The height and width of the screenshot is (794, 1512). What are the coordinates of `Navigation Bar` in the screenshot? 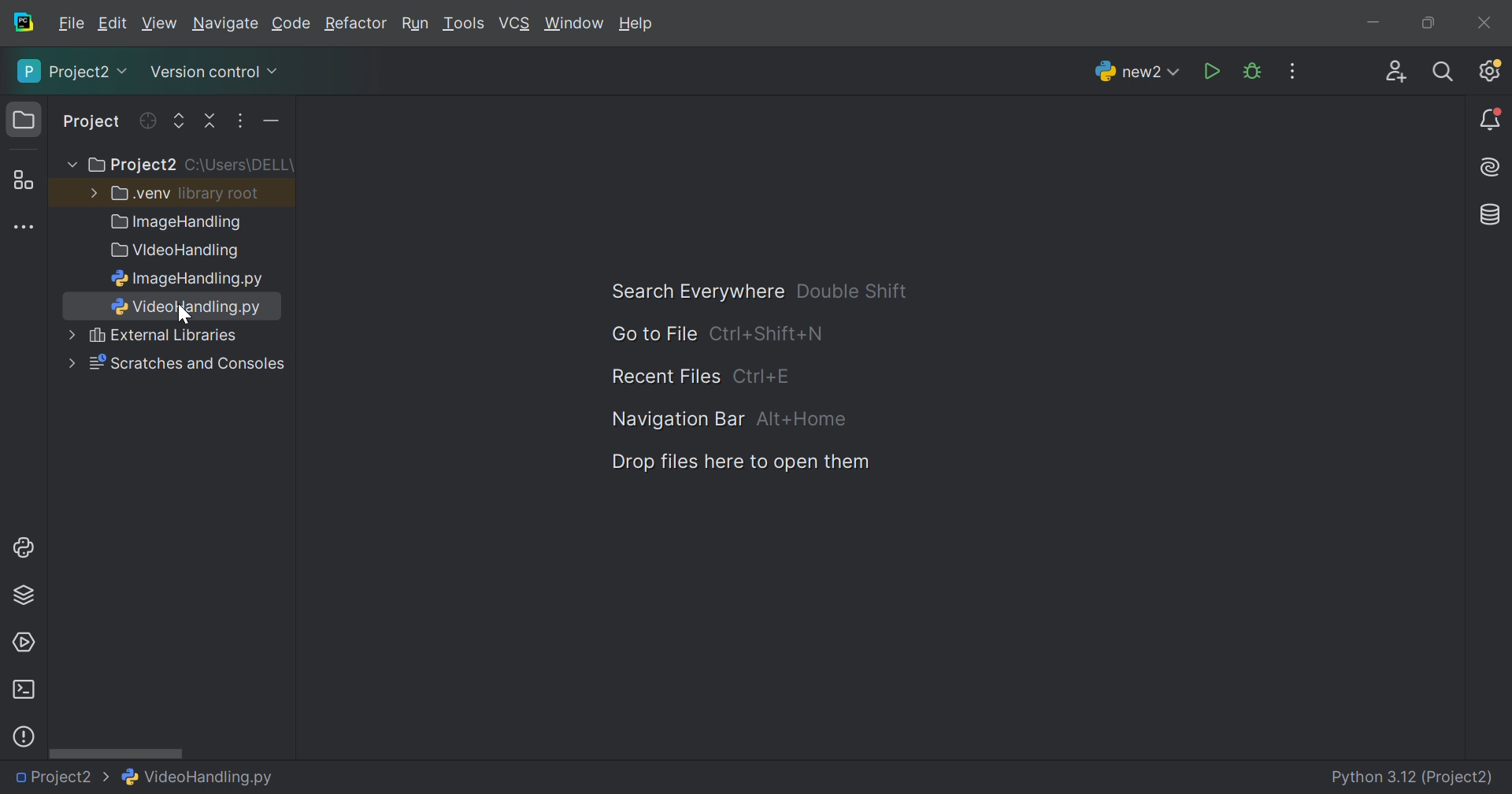 It's located at (674, 418).